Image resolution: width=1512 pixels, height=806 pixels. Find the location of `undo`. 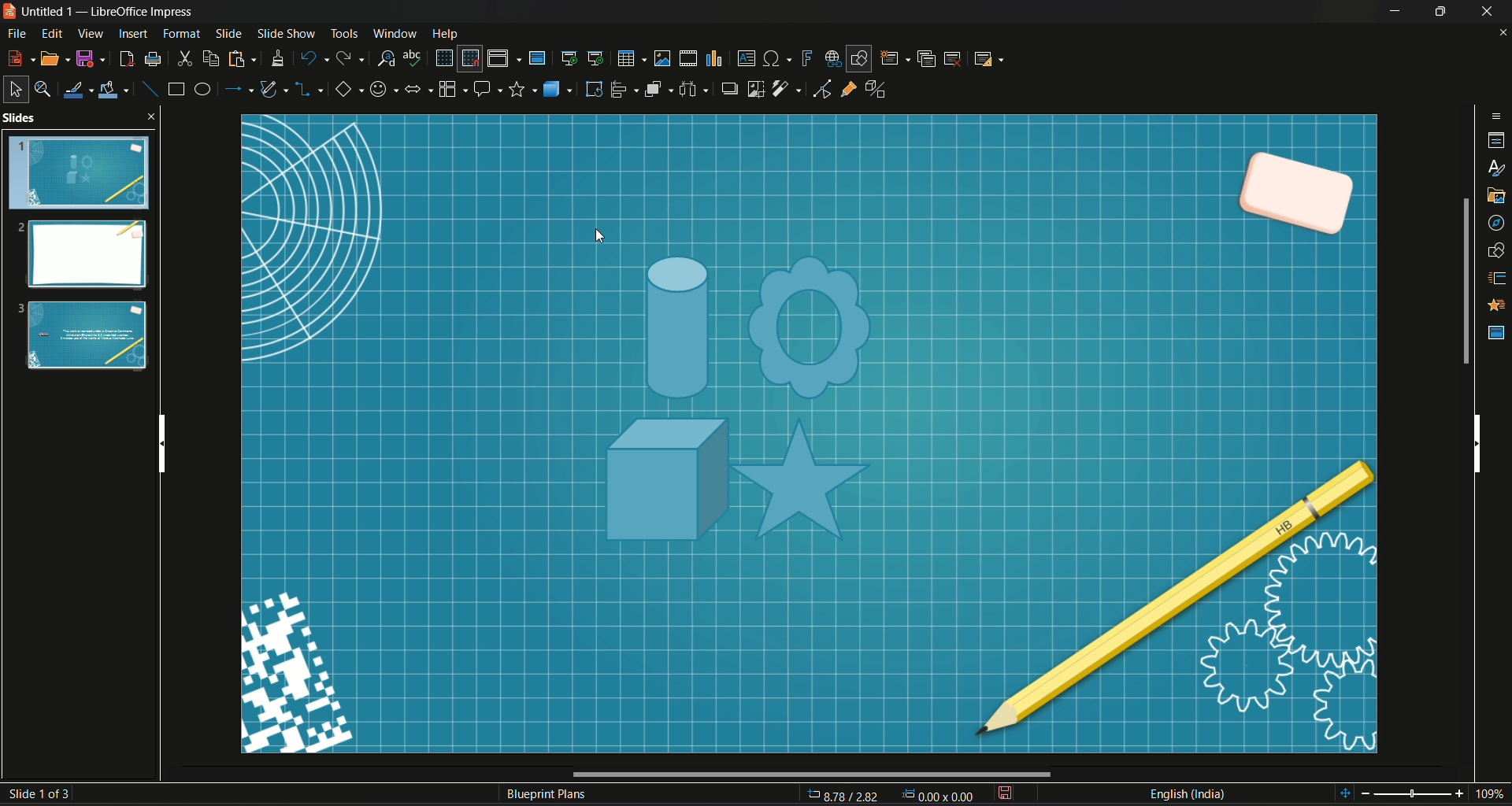

undo is located at coordinates (313, 57).